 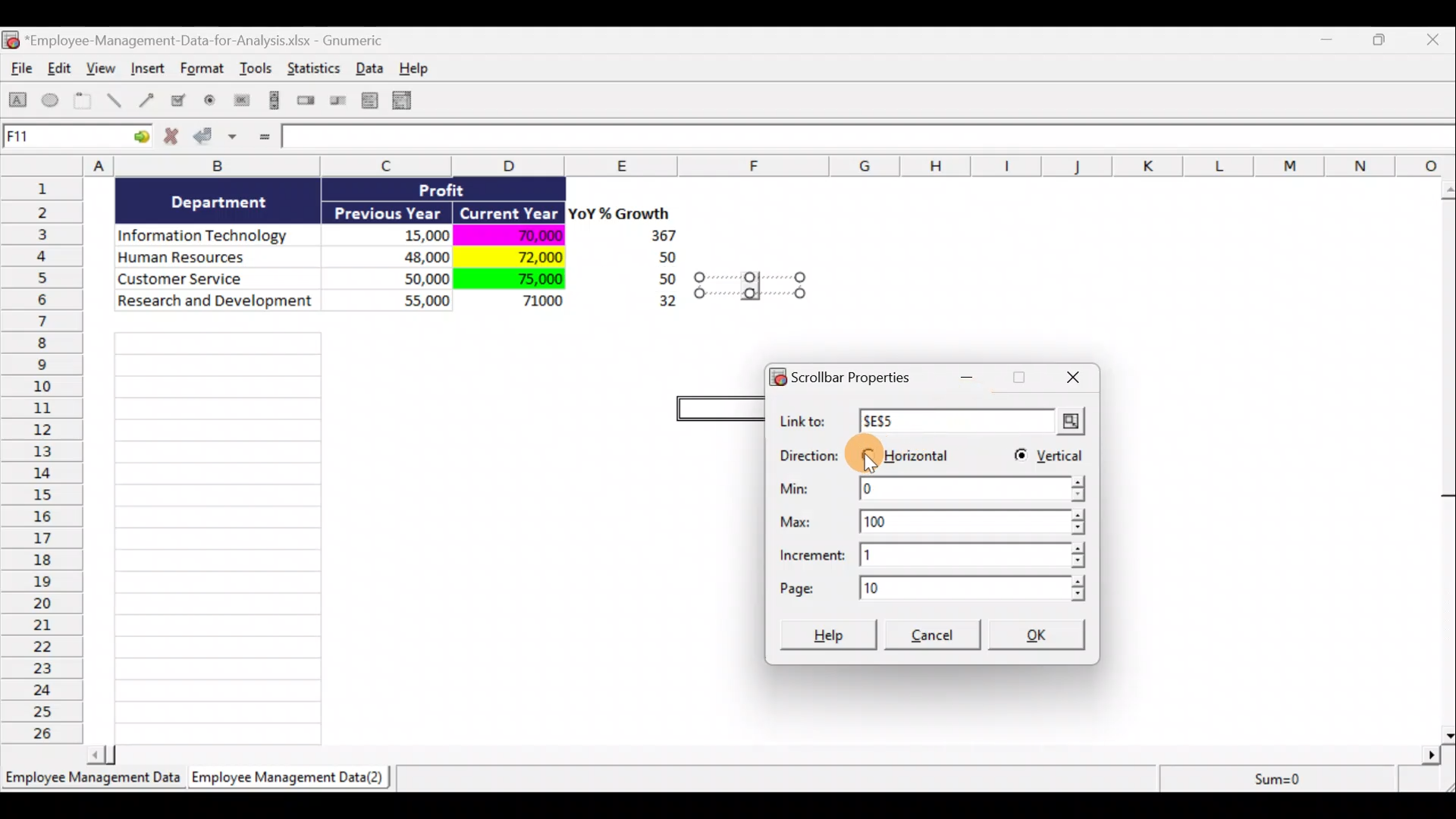 I want to click on Scroll bar, so click(x=1446, y=458).